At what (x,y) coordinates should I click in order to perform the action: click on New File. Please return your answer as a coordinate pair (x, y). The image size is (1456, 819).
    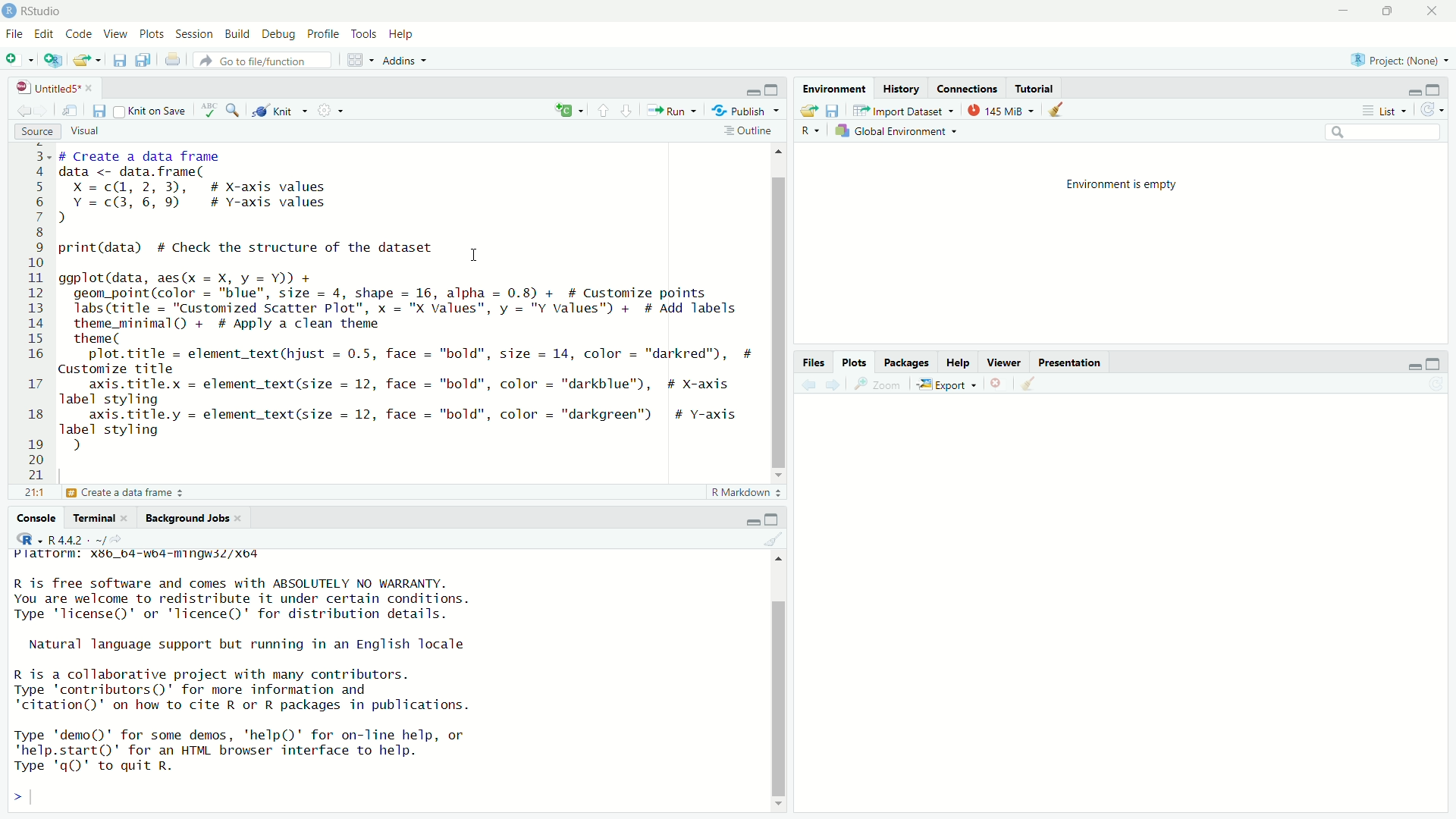
    Looking at the image, I should click on (17, 58).